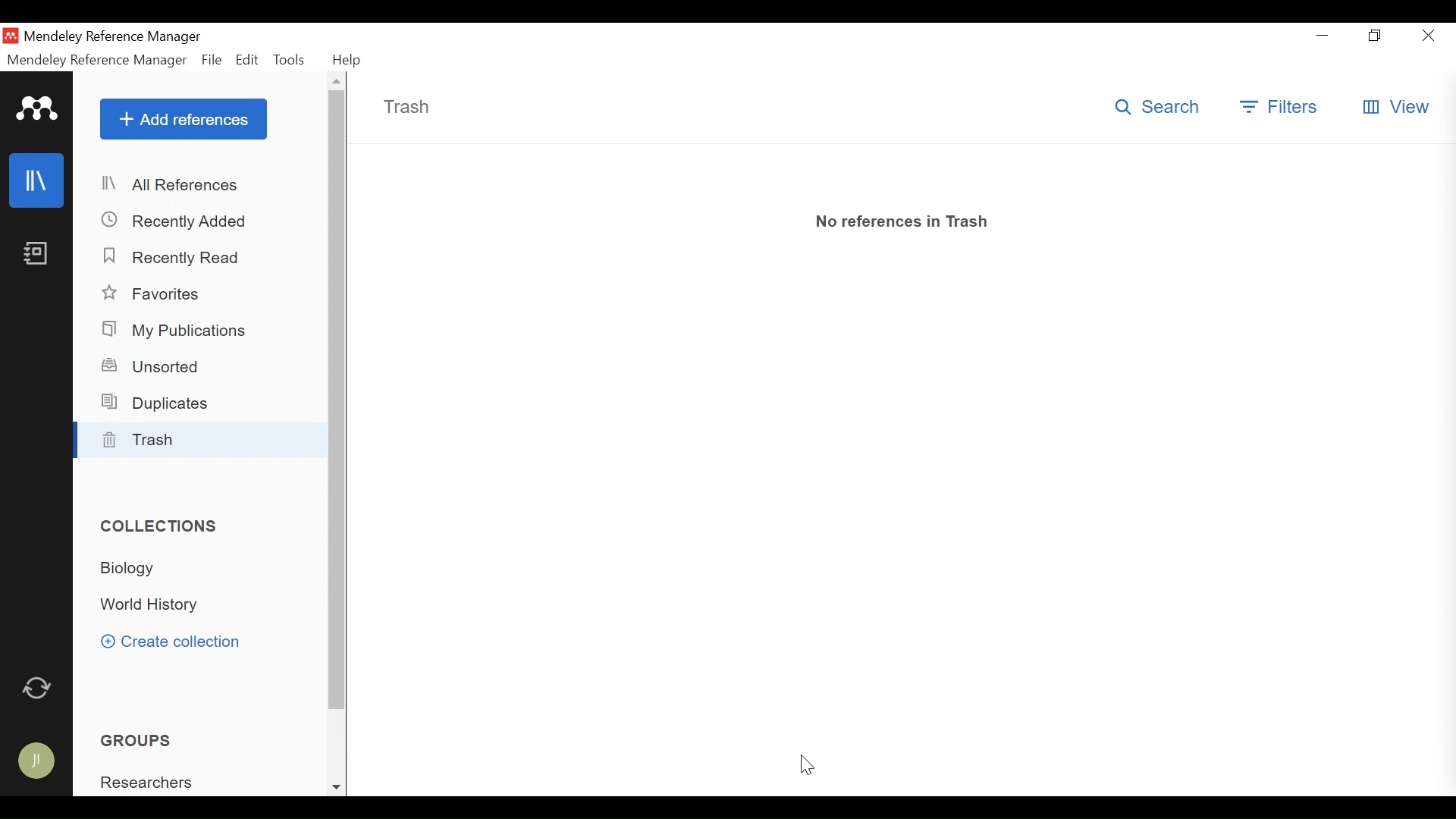 This screenshot has width=1456, height=819. I want to click on All Reference, so click(202, 186).